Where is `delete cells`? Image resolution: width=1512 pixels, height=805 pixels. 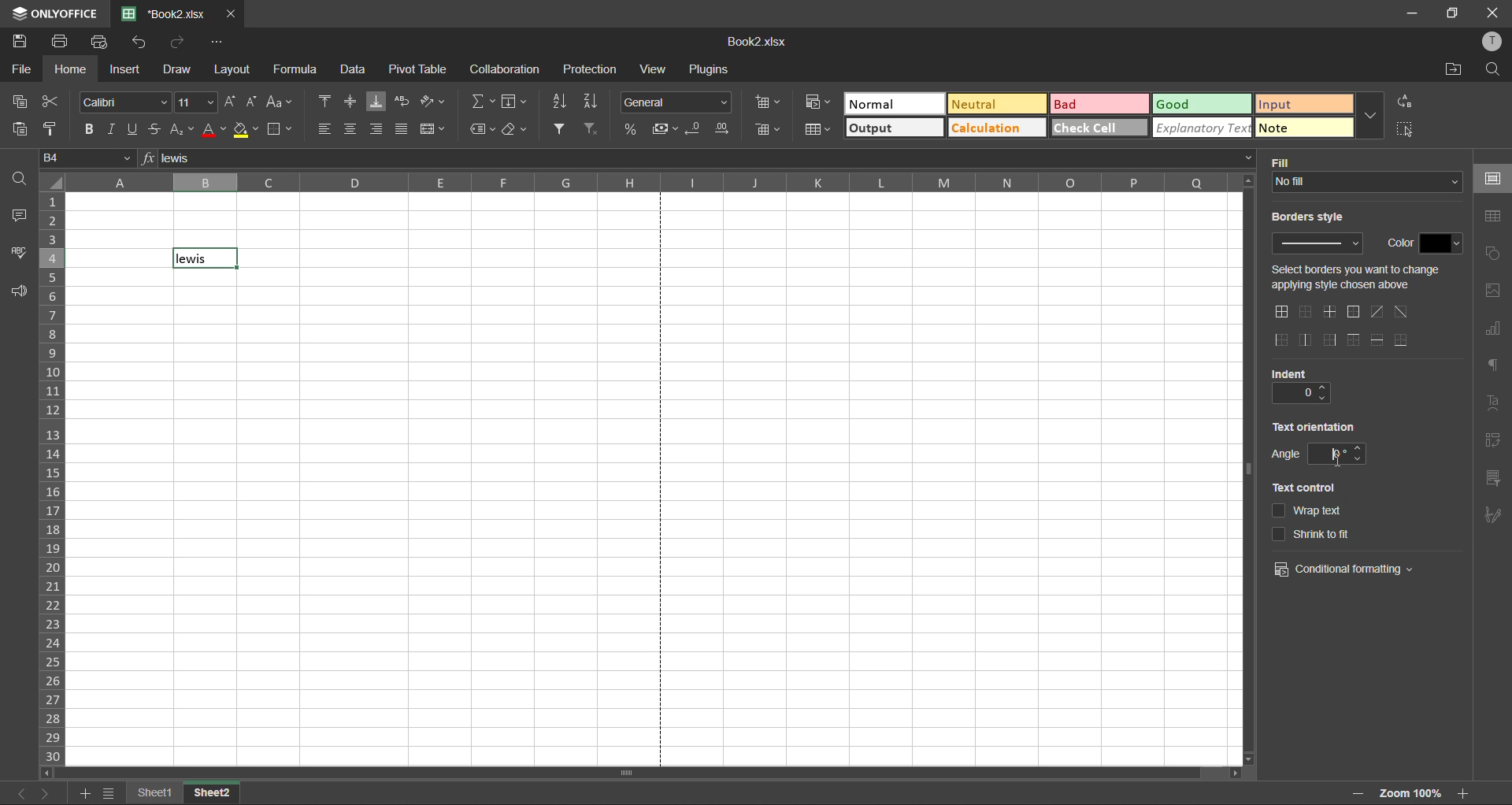
delete cells is located at coordinates (768, 131).